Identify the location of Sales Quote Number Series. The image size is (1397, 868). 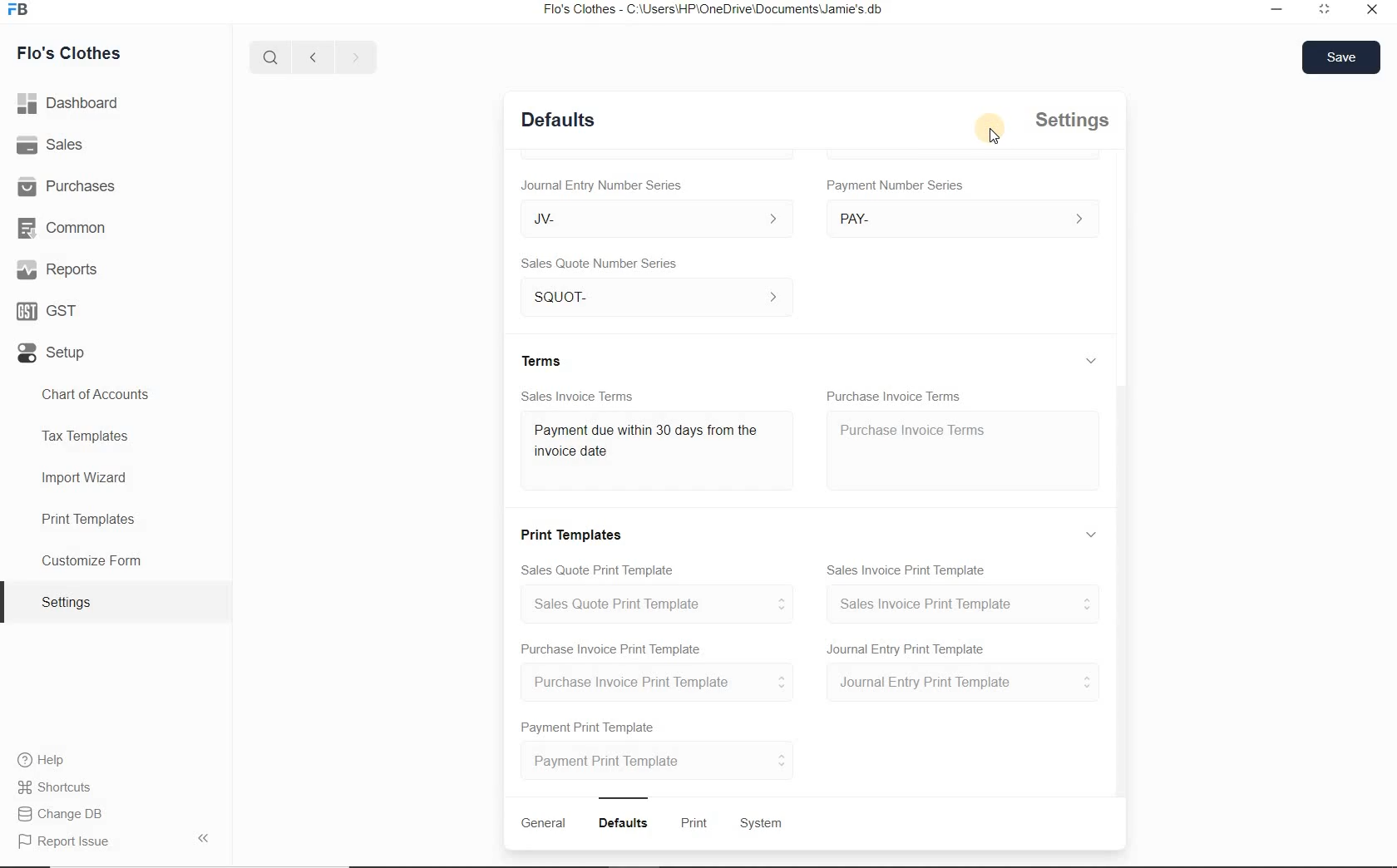
(599, 264).